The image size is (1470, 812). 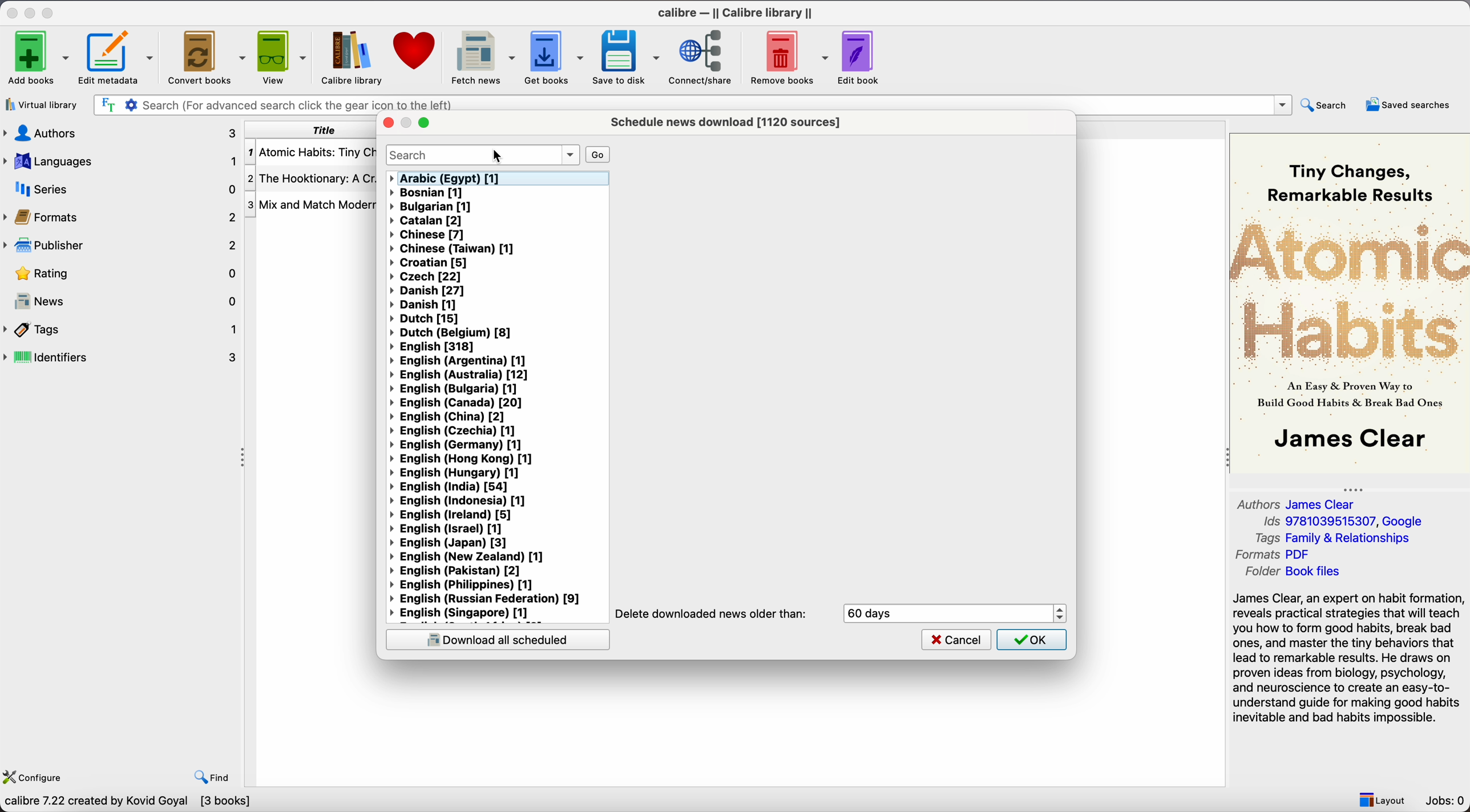 What do you see at coordinates (788, 56) in the screenshot?
I see `remove books` at bounding box center [788, 56].